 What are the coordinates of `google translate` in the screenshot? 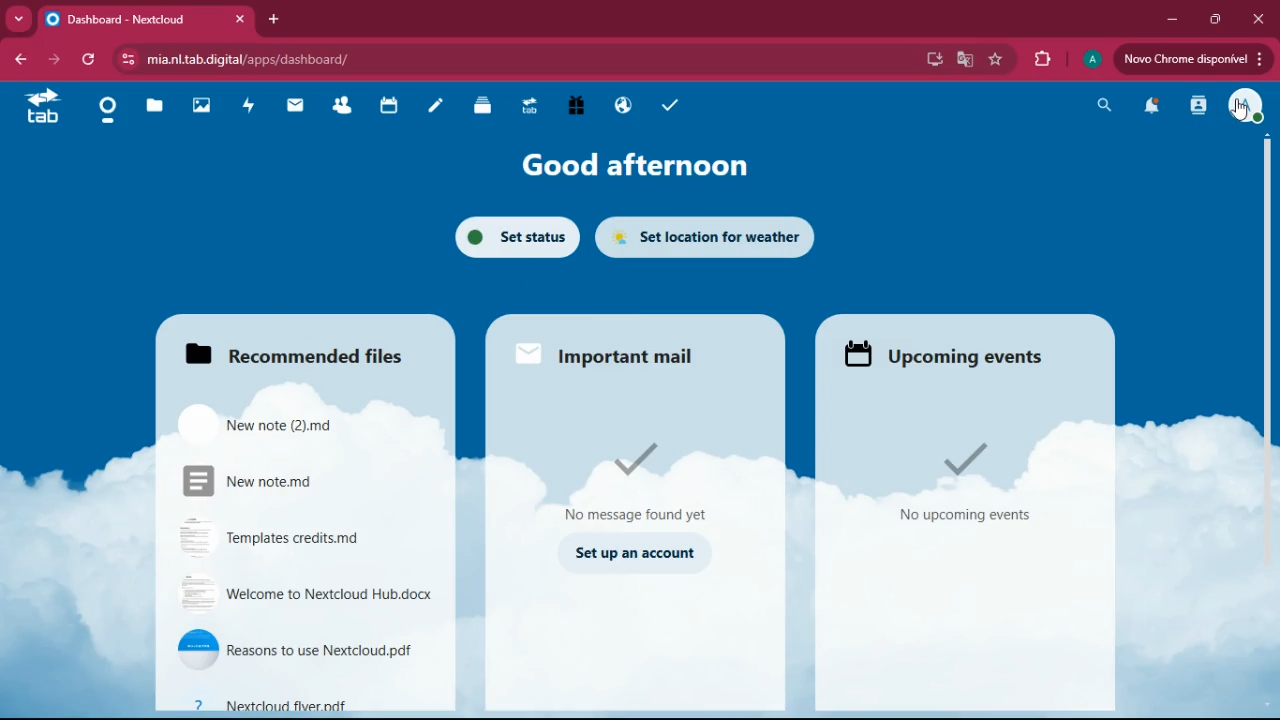 It's located at (962, 59).